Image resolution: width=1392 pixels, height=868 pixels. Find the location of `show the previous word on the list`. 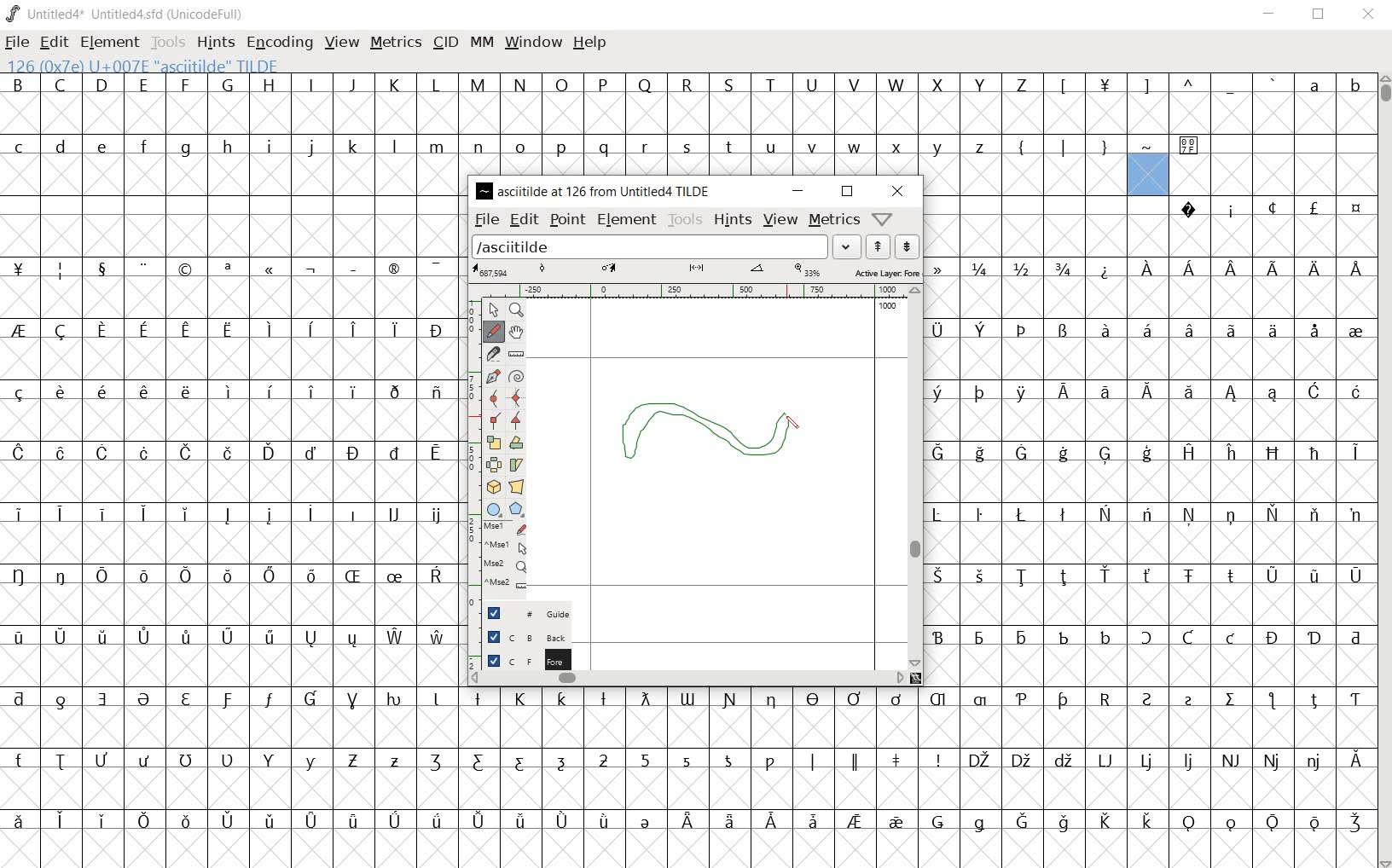

show the previous word on the list is located at coordinates (907, 246).